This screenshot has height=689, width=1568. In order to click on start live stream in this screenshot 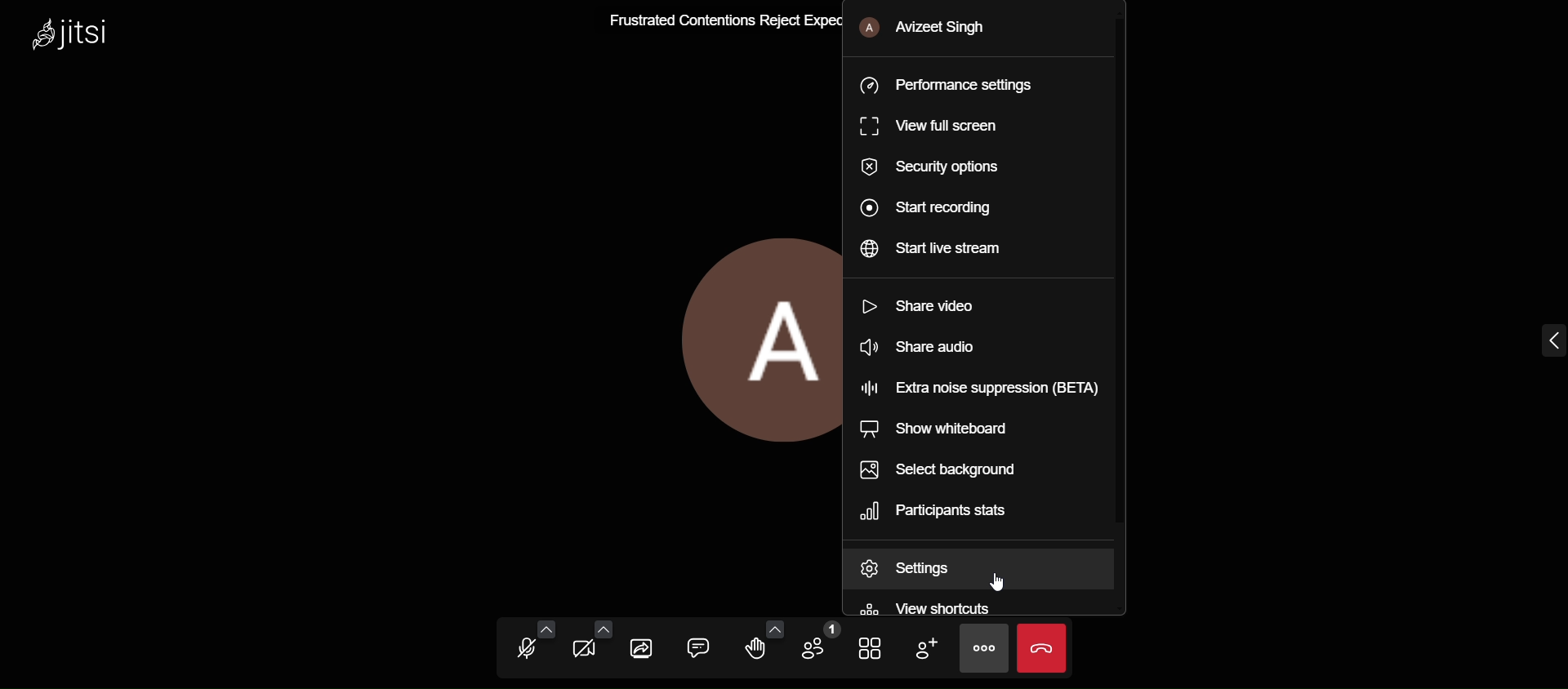, I will do `click(942, 251)`.